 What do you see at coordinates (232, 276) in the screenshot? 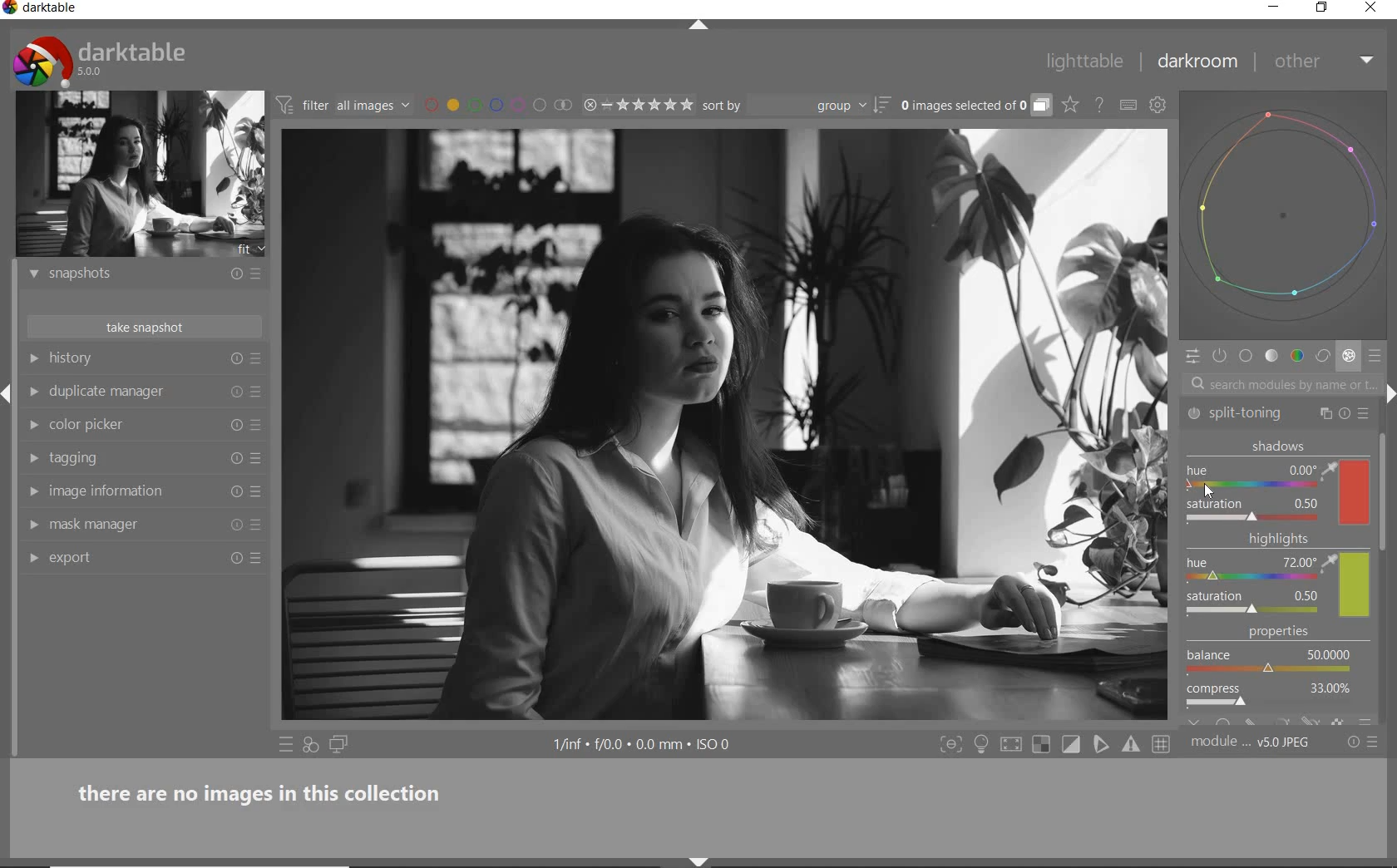
I see `reset` at bounding box center [232, 276].